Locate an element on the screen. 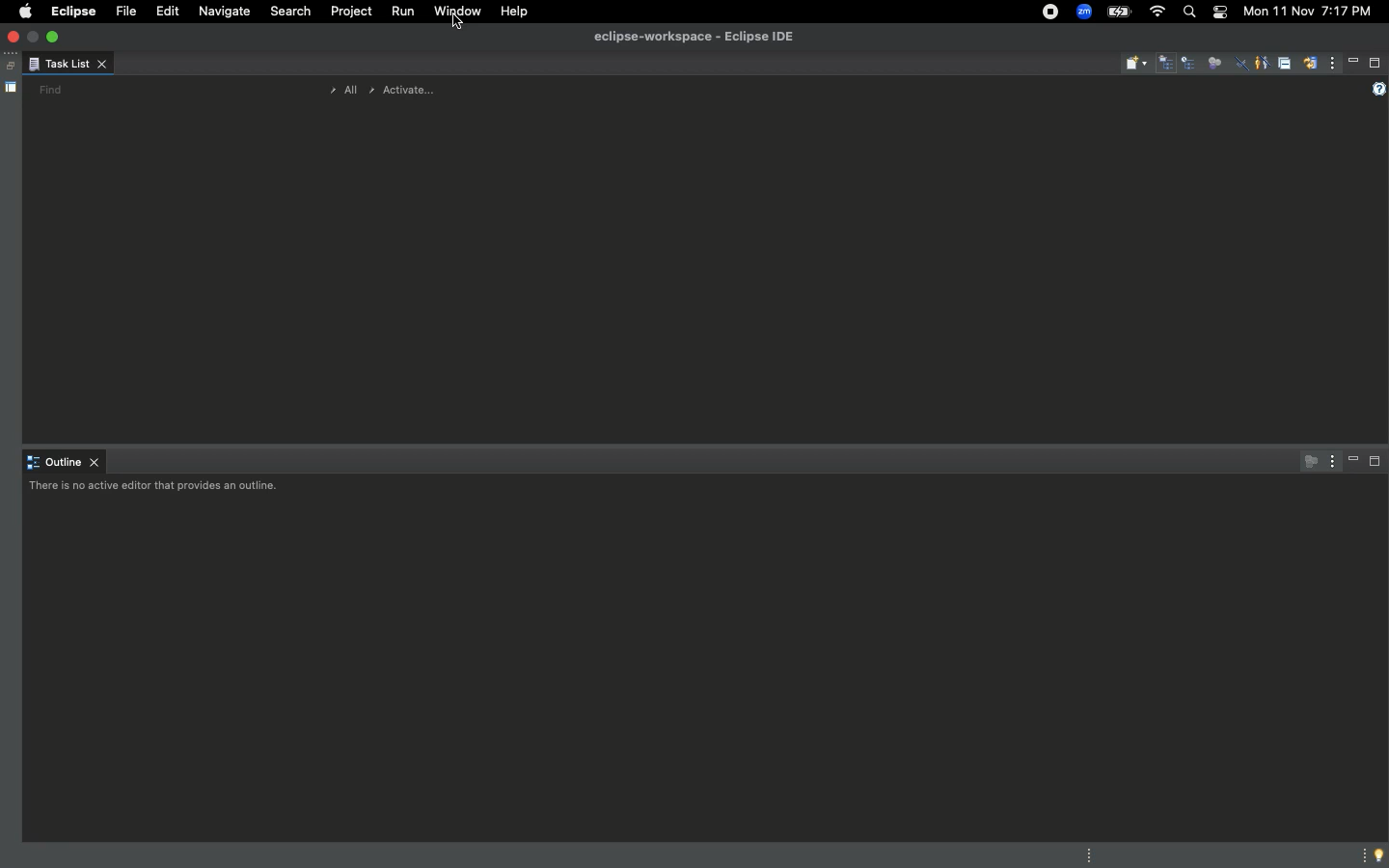 The image size is (1389, 868). Focus on active tasks is located at coordinates (1306, 461).